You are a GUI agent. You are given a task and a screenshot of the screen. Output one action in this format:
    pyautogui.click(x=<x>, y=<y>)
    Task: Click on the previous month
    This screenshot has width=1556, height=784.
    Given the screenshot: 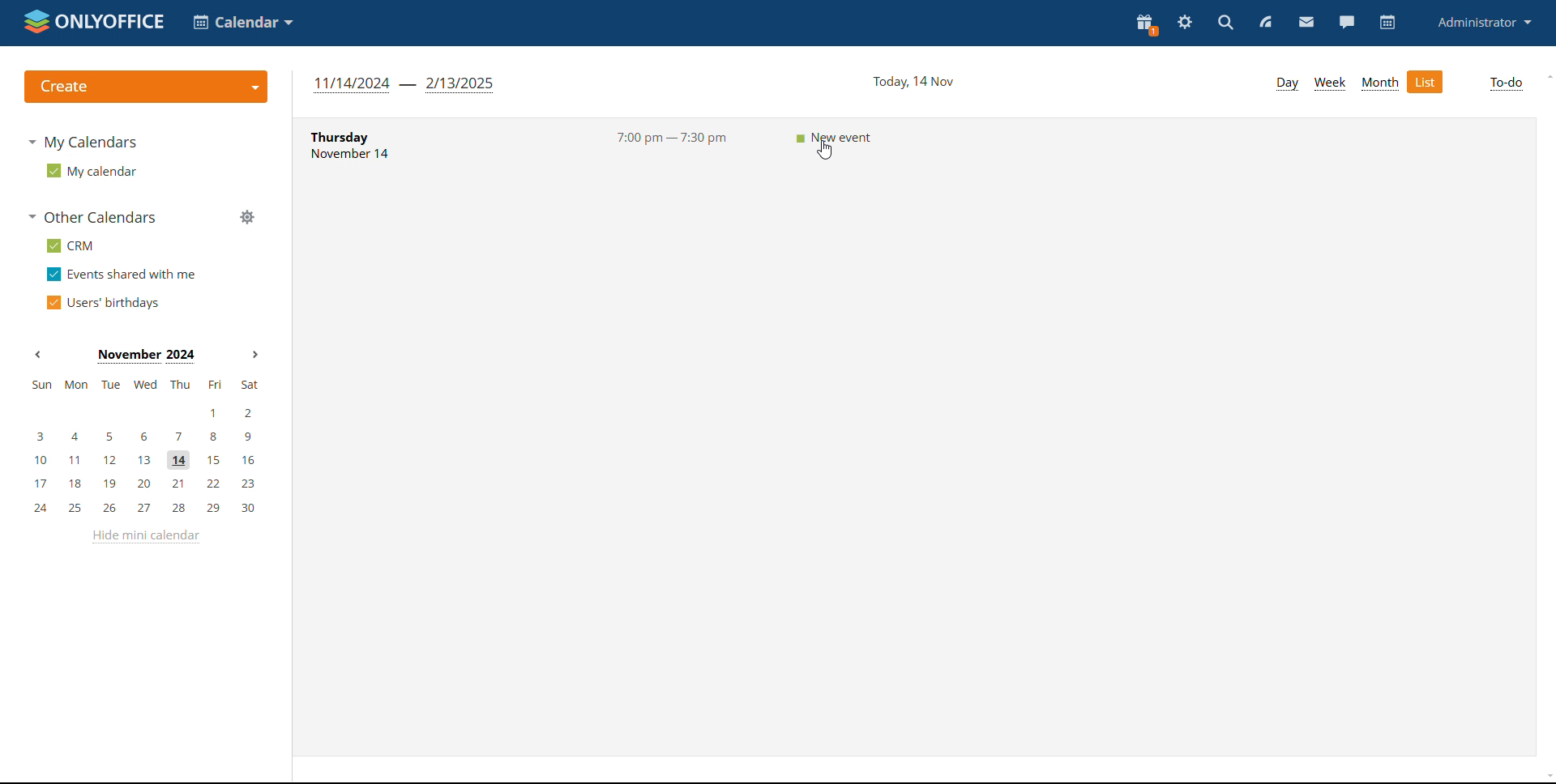 What is the action you would take?
    pyautogui.click(x=38, y=356)
    